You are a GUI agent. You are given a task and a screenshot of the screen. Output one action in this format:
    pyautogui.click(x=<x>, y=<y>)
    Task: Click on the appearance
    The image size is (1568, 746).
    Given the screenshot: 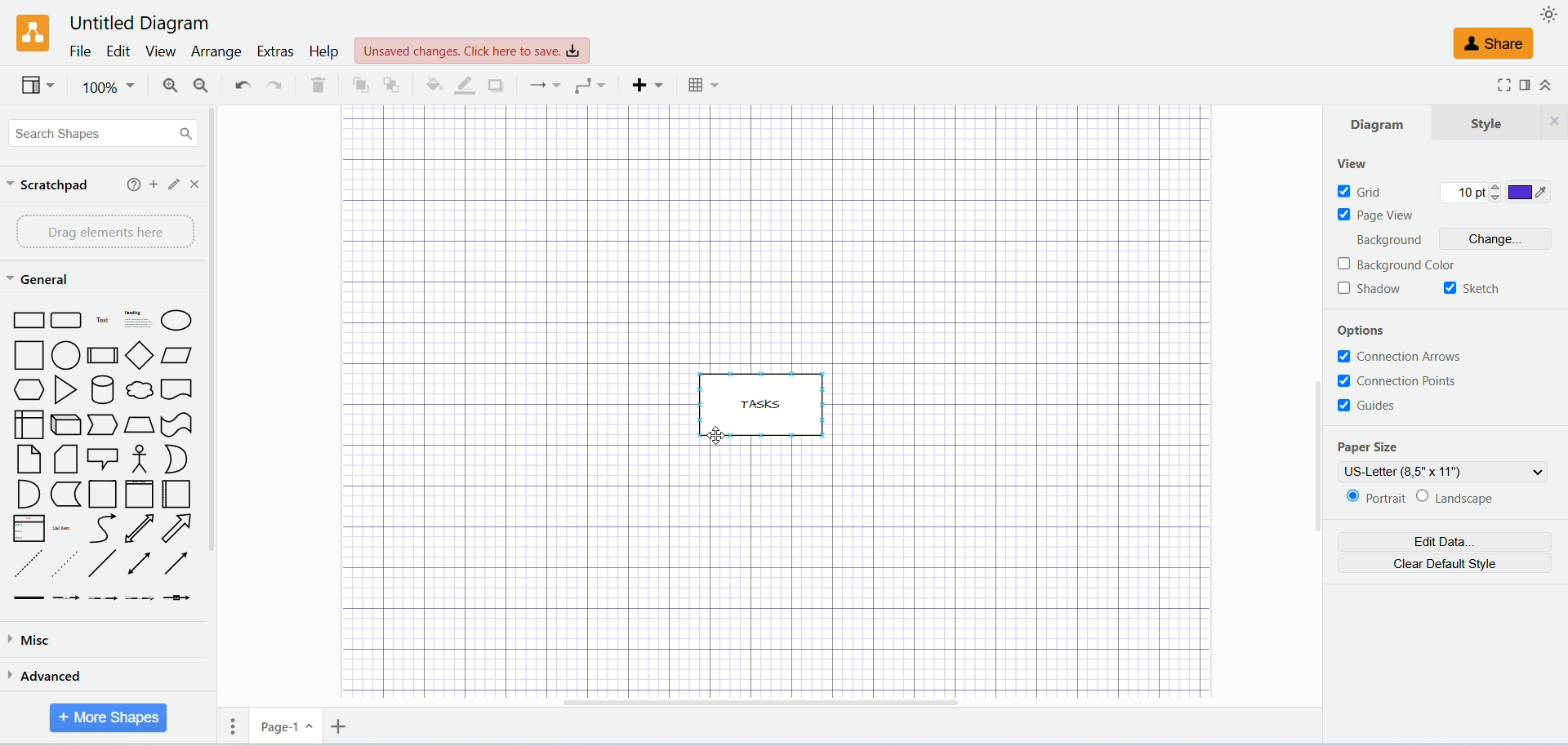 What is the action you would take?
    pyautogui.click(x=1550, y=13)
    